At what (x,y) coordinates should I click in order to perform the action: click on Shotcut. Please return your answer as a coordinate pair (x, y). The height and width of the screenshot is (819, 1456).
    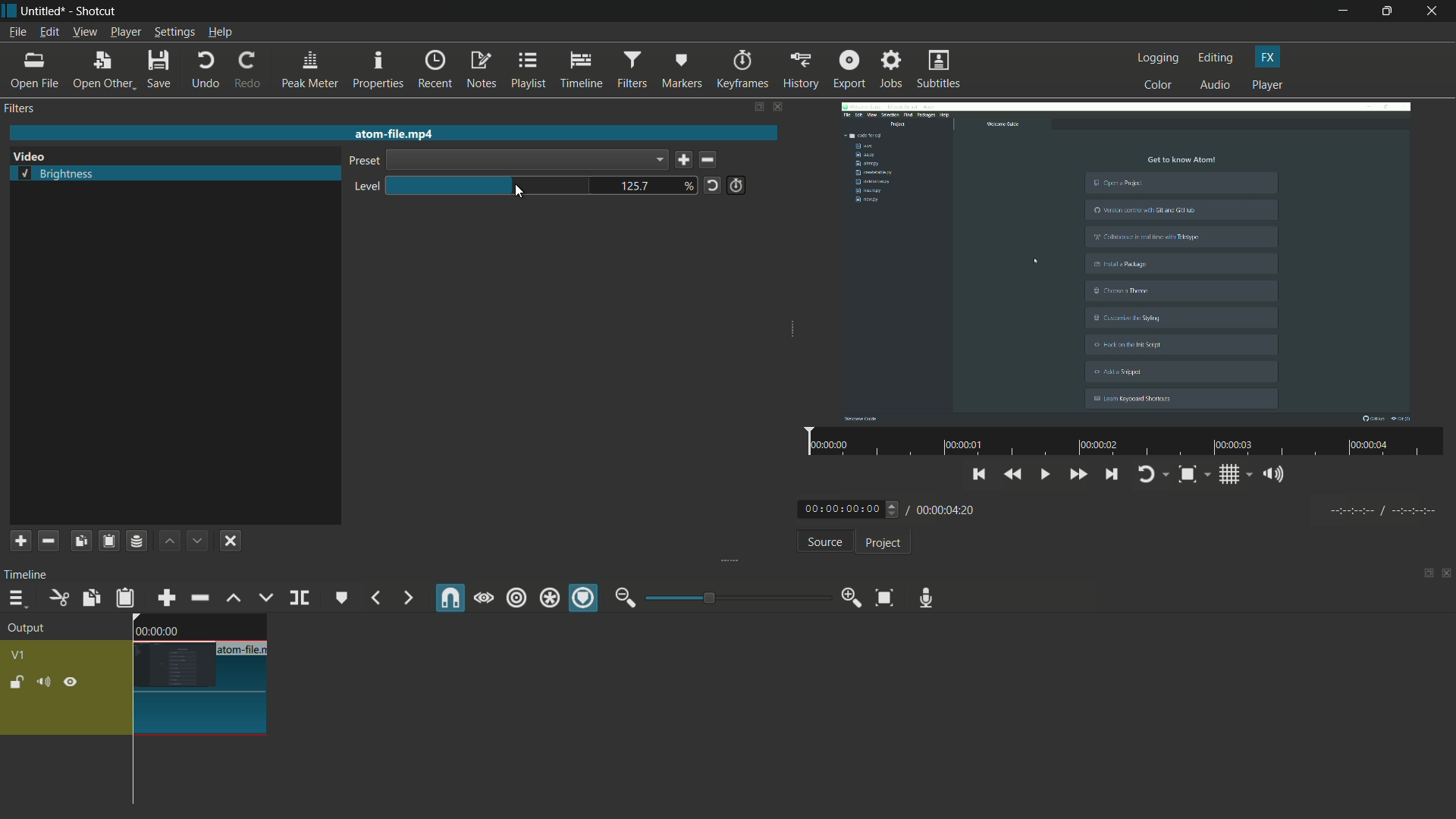
    Looking at the image, I should click on (97, 12).